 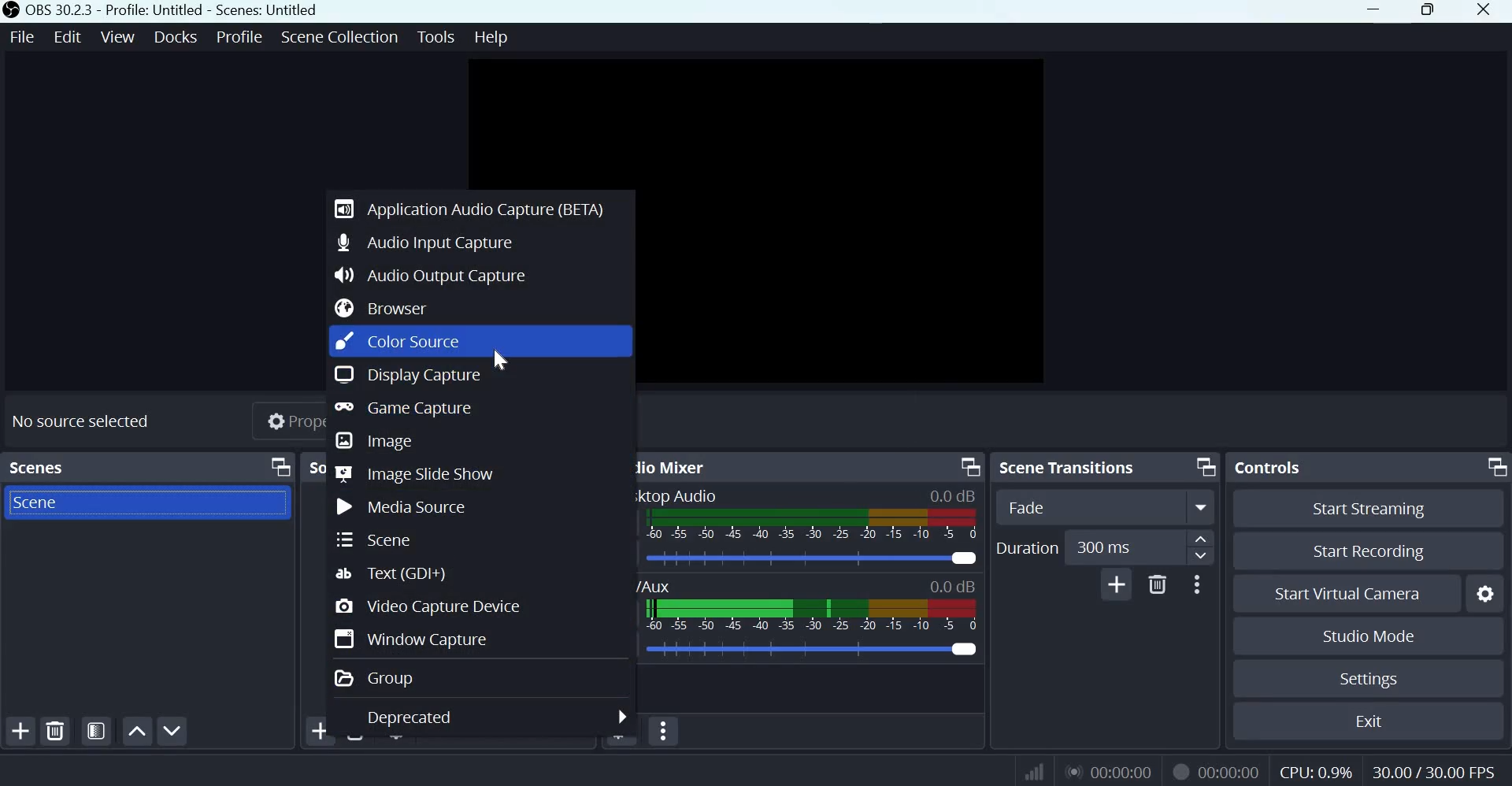 What do you see at coordinates (413, 640) in the screenshot?
I see `Window capture` at bounding box center [413, 640].